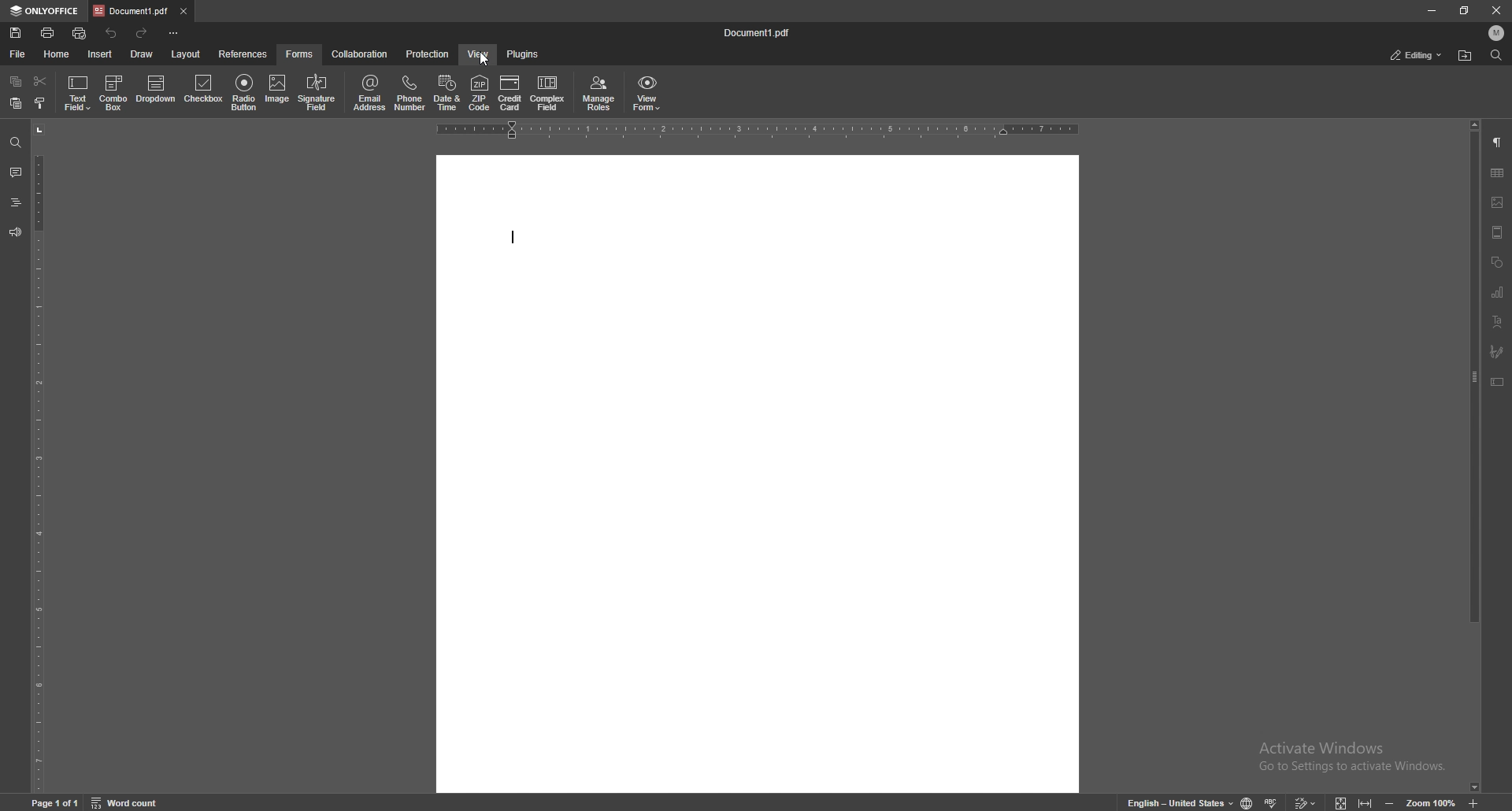 The height and width of the screenshot is (811, 1512). Describe the element at coordinates (648, 92) in the screenshot. I see `view form` at that location.